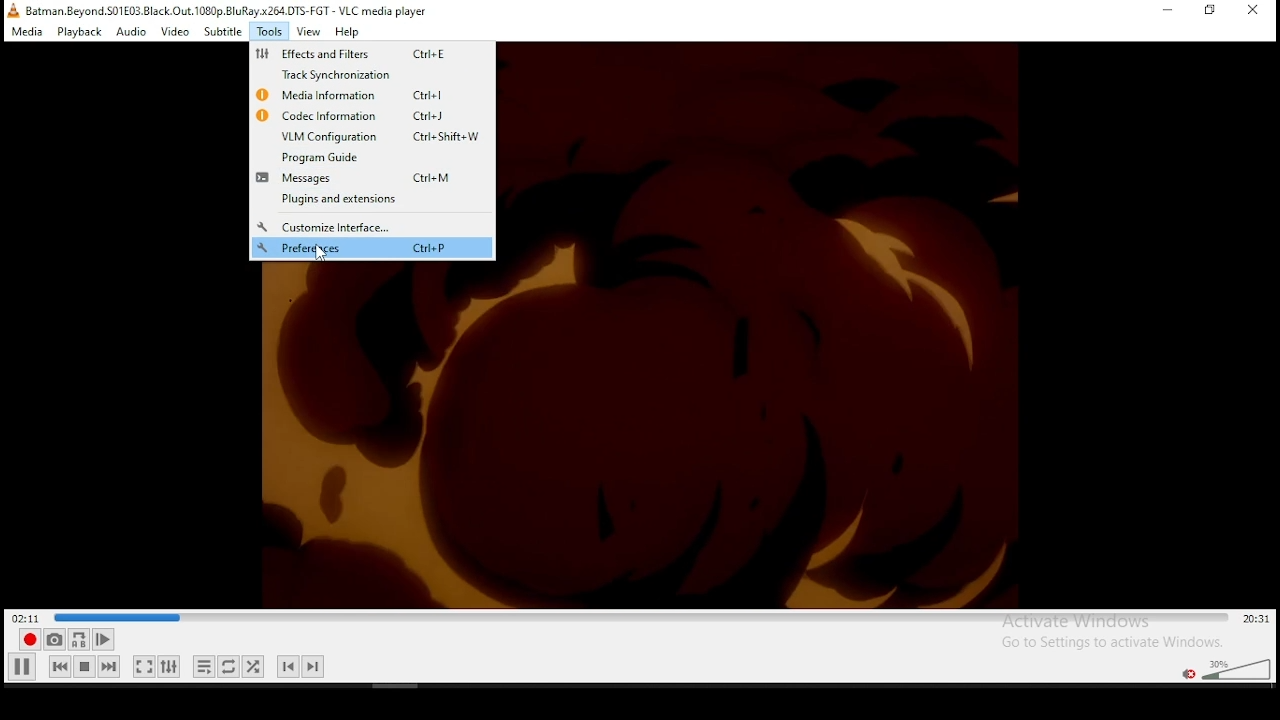 The width and height of the screenshot is (1280, 720). What do you see at coordinates (367, 177) in the screenshot?
I see `messages` at bounding box center [367, 177].